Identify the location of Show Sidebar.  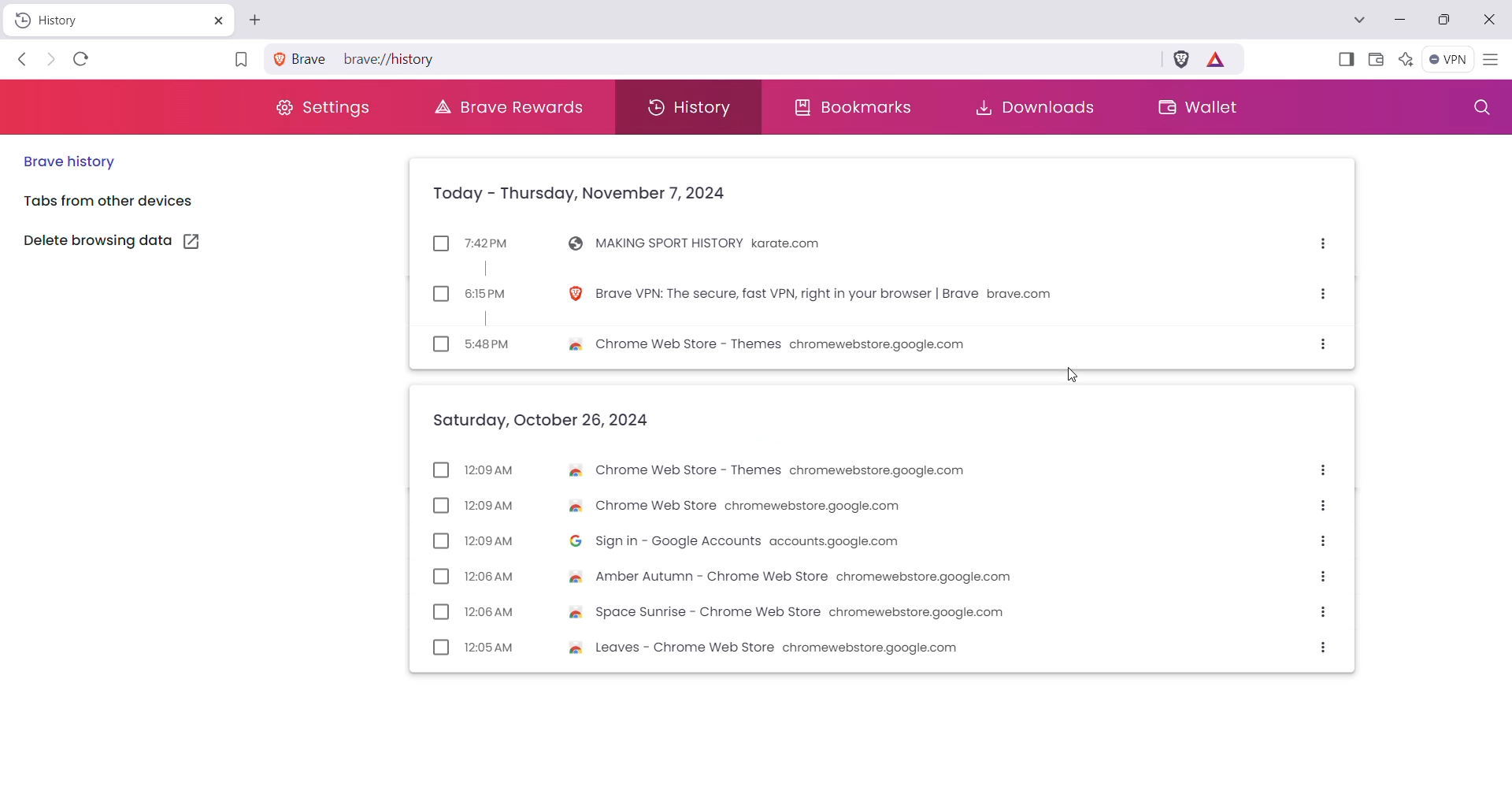
(1345, 59).